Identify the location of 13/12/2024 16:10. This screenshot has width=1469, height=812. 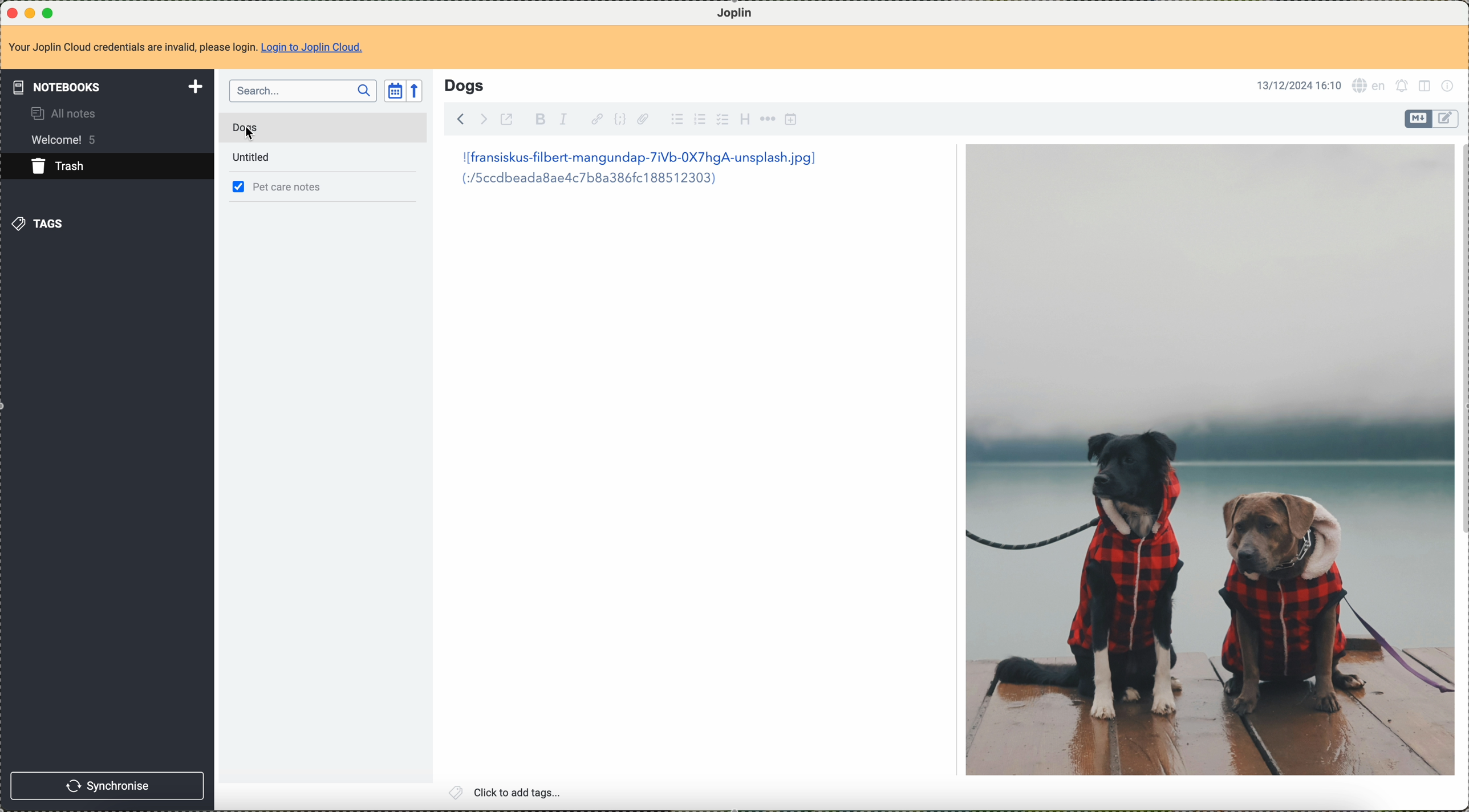
(1294, 84).